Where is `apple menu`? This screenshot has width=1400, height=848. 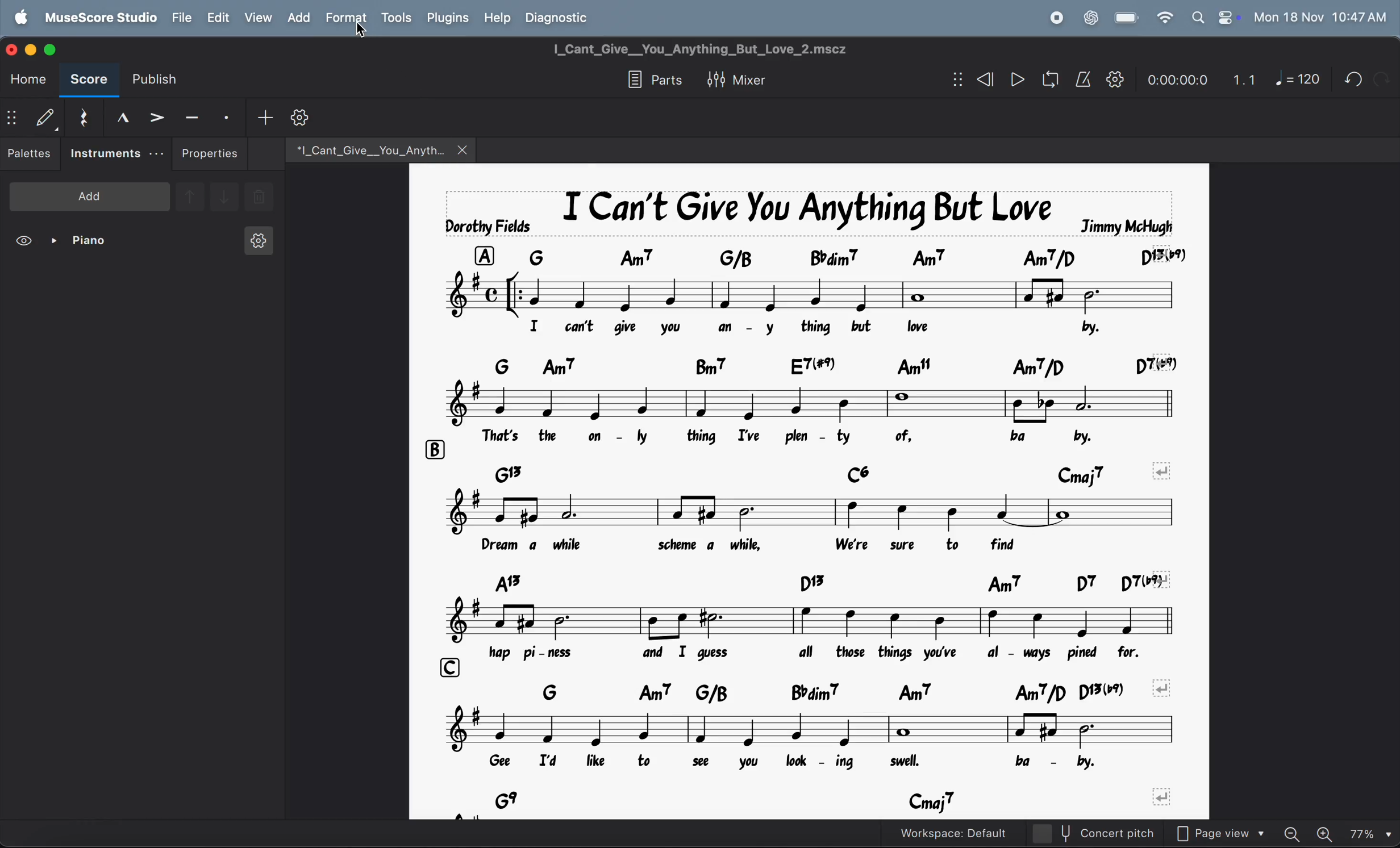 apple menu is located at coordinates (23, 16).